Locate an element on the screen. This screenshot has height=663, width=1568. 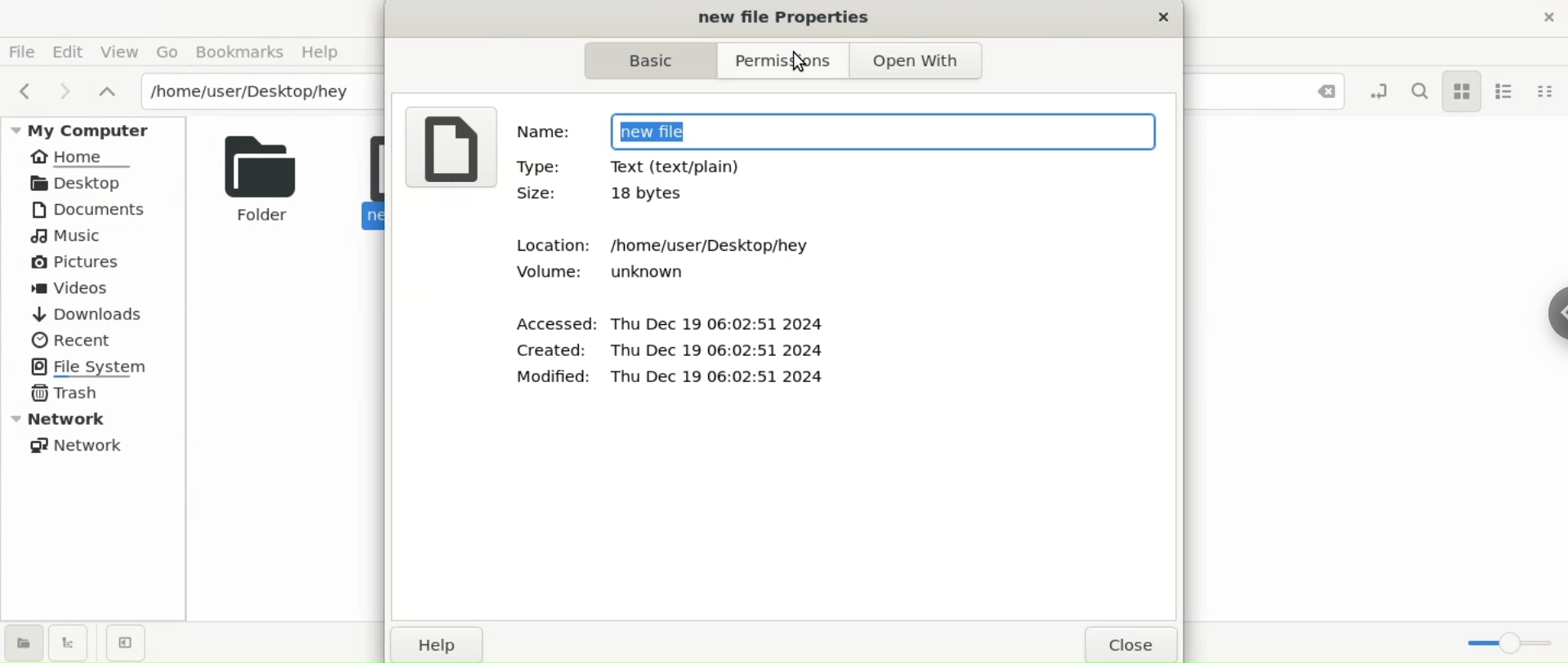
Modified: Thu Dec 19 06:02:51 2024 is located at coordinates (666, 378).